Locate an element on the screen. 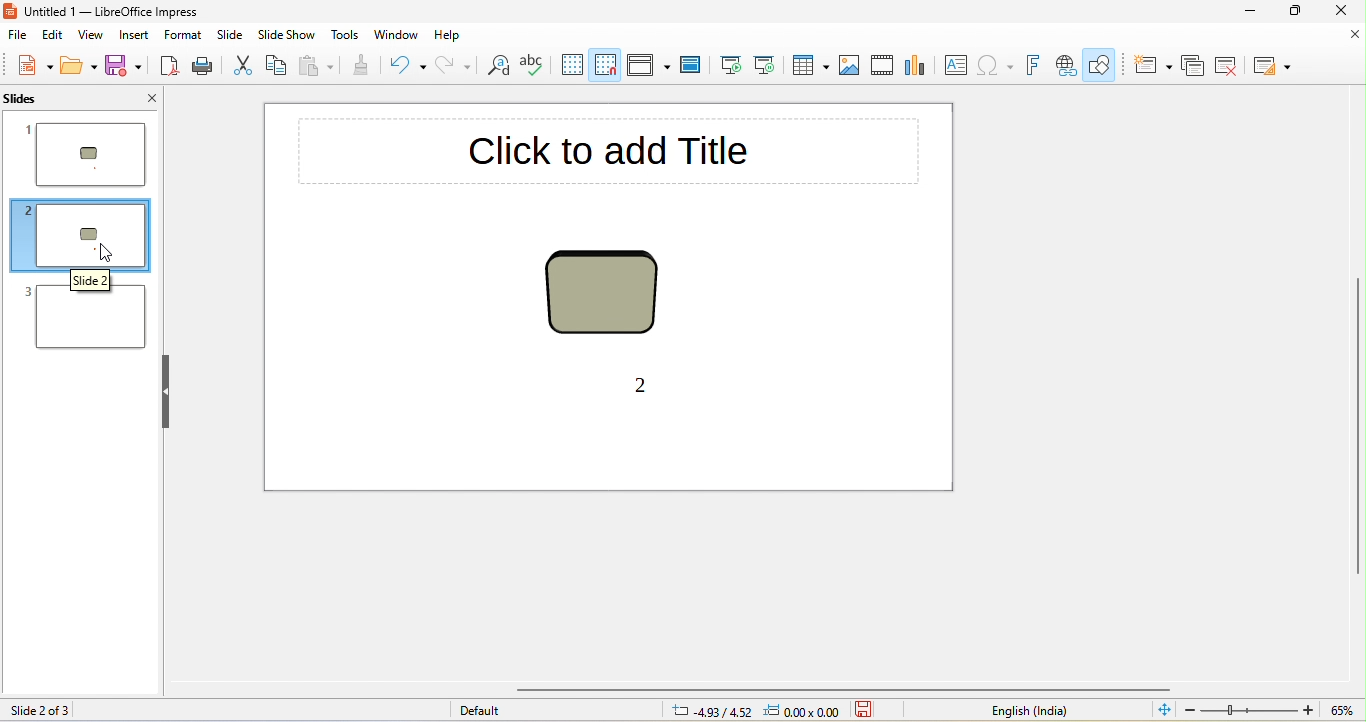  close is located at coordinates (140, 97).